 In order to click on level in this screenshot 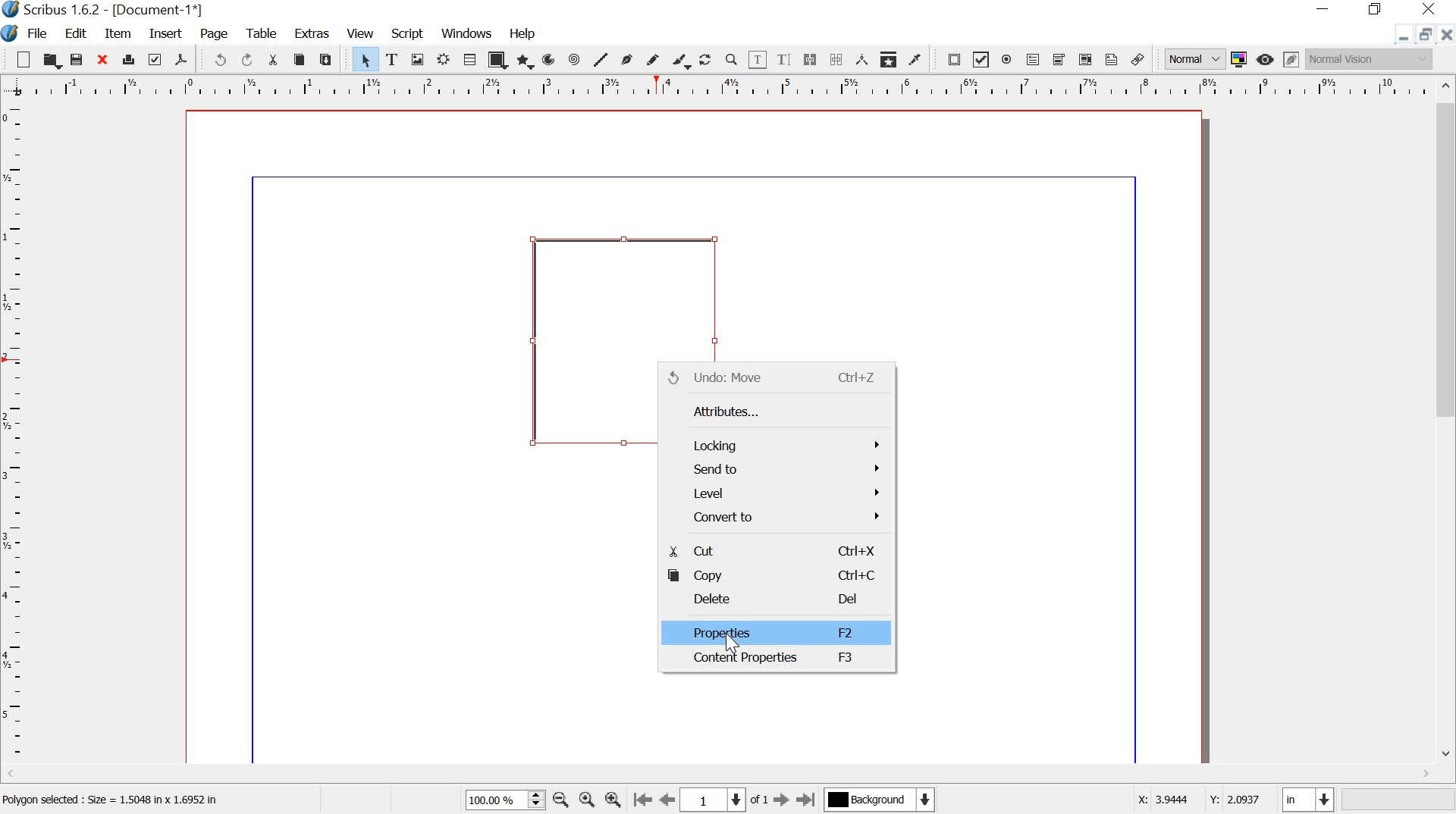, I will do `click(779, 492)`.